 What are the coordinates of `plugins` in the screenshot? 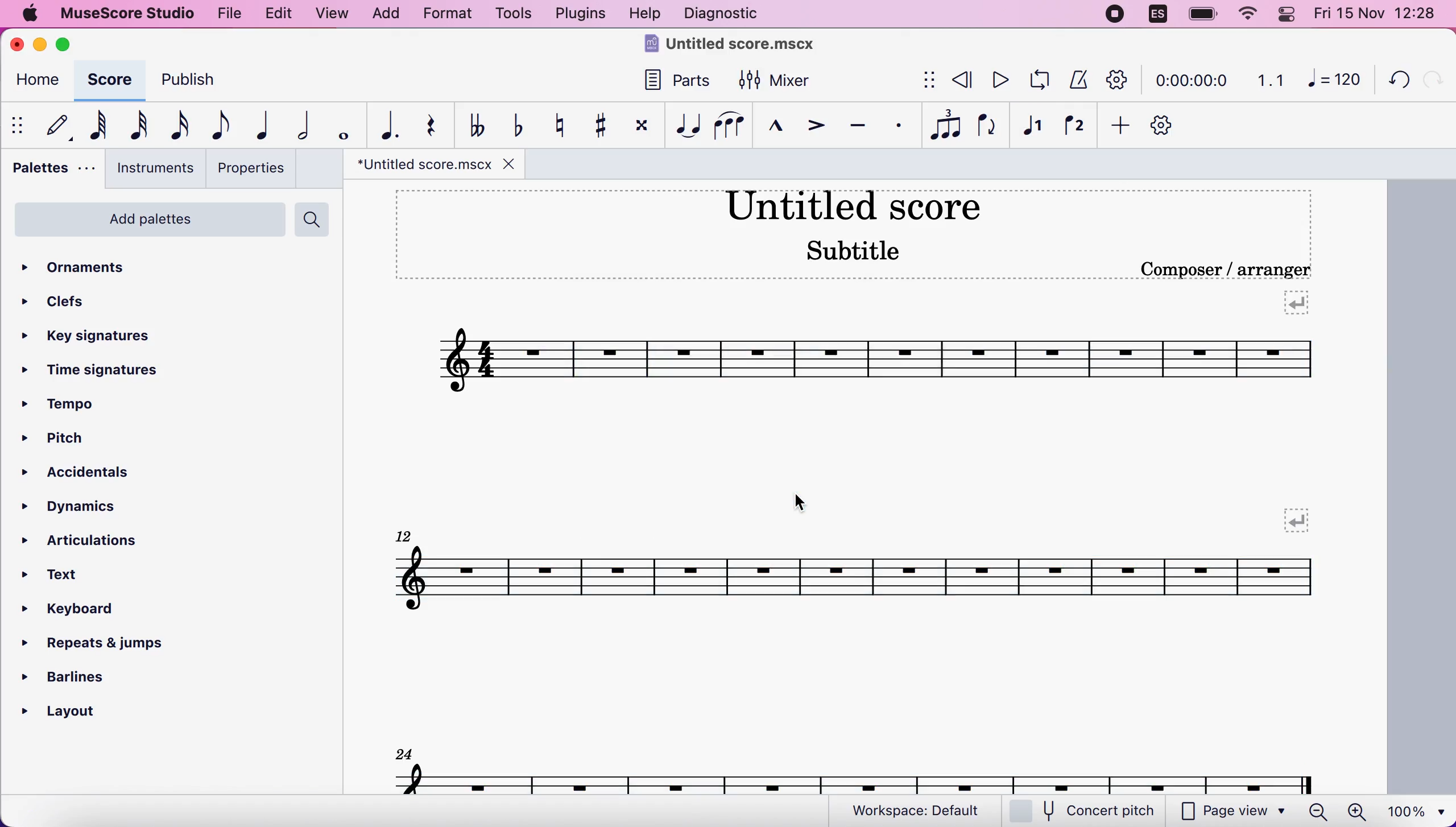 It's located at (578, 14).